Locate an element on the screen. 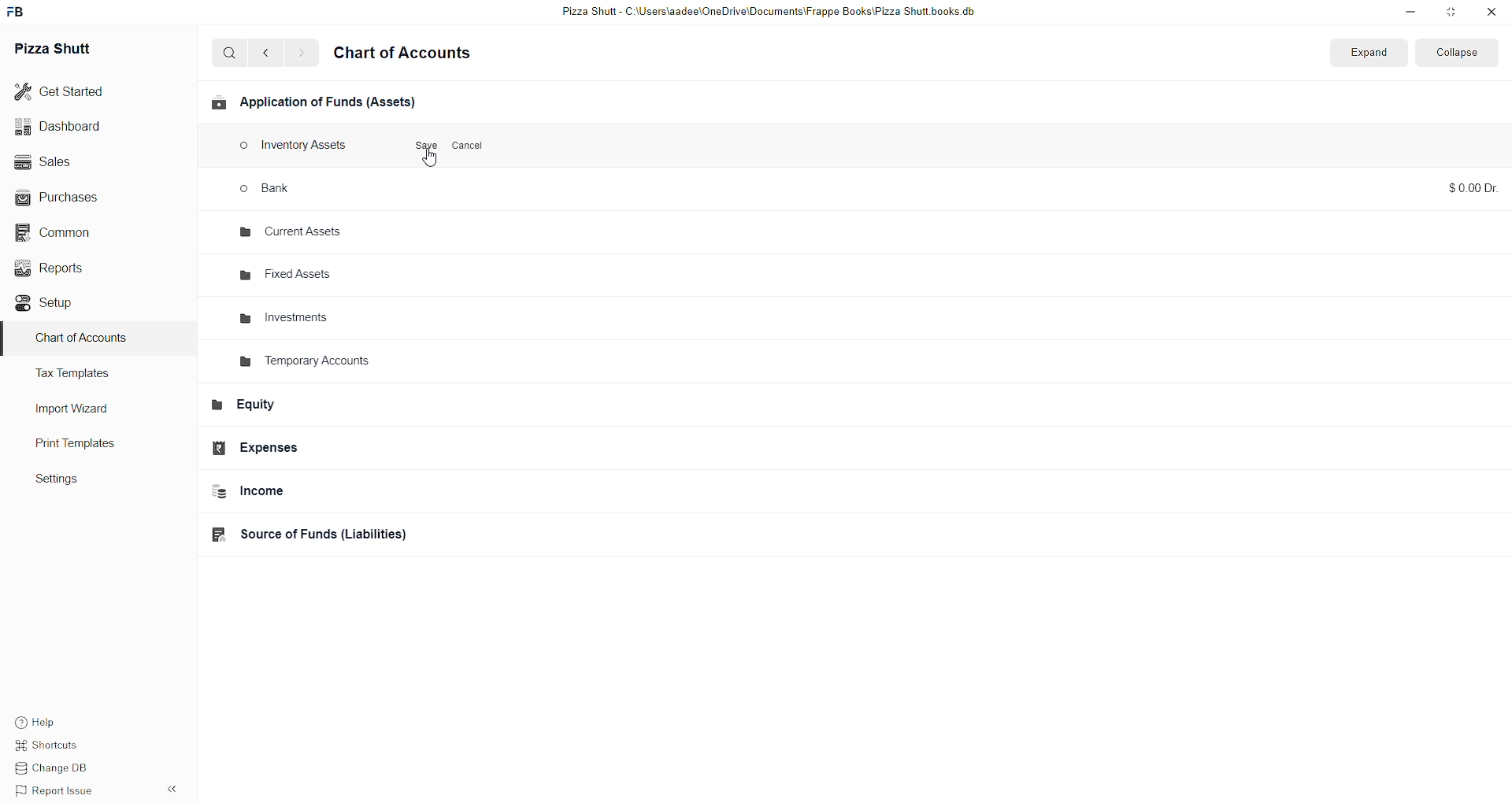  current assets is located at coordinates (285, 235).